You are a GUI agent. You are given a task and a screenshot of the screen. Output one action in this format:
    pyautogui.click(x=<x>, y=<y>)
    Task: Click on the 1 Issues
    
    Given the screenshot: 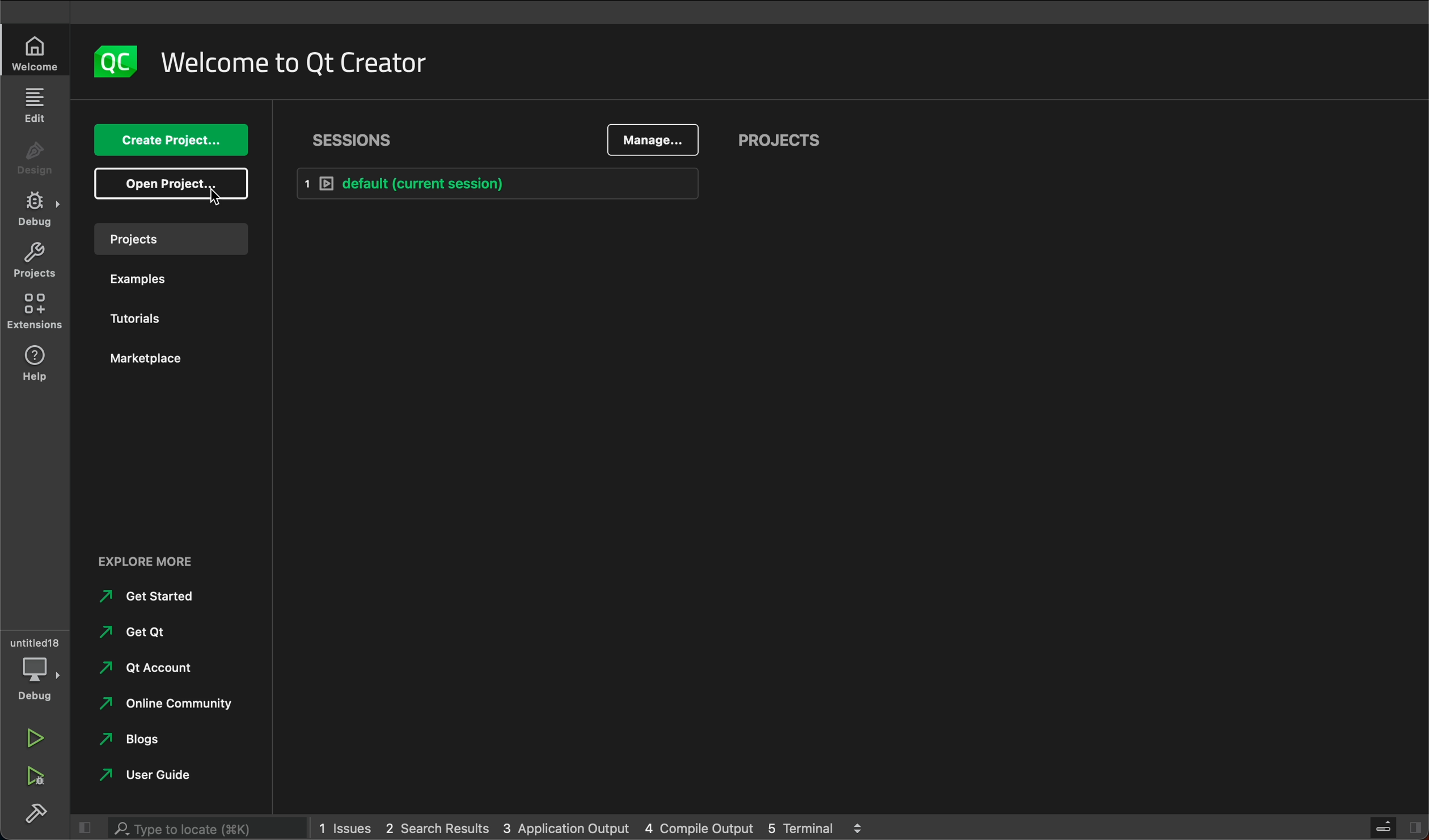 What is the action you would take?
    pyautogui.click(x=342, y=827)
    